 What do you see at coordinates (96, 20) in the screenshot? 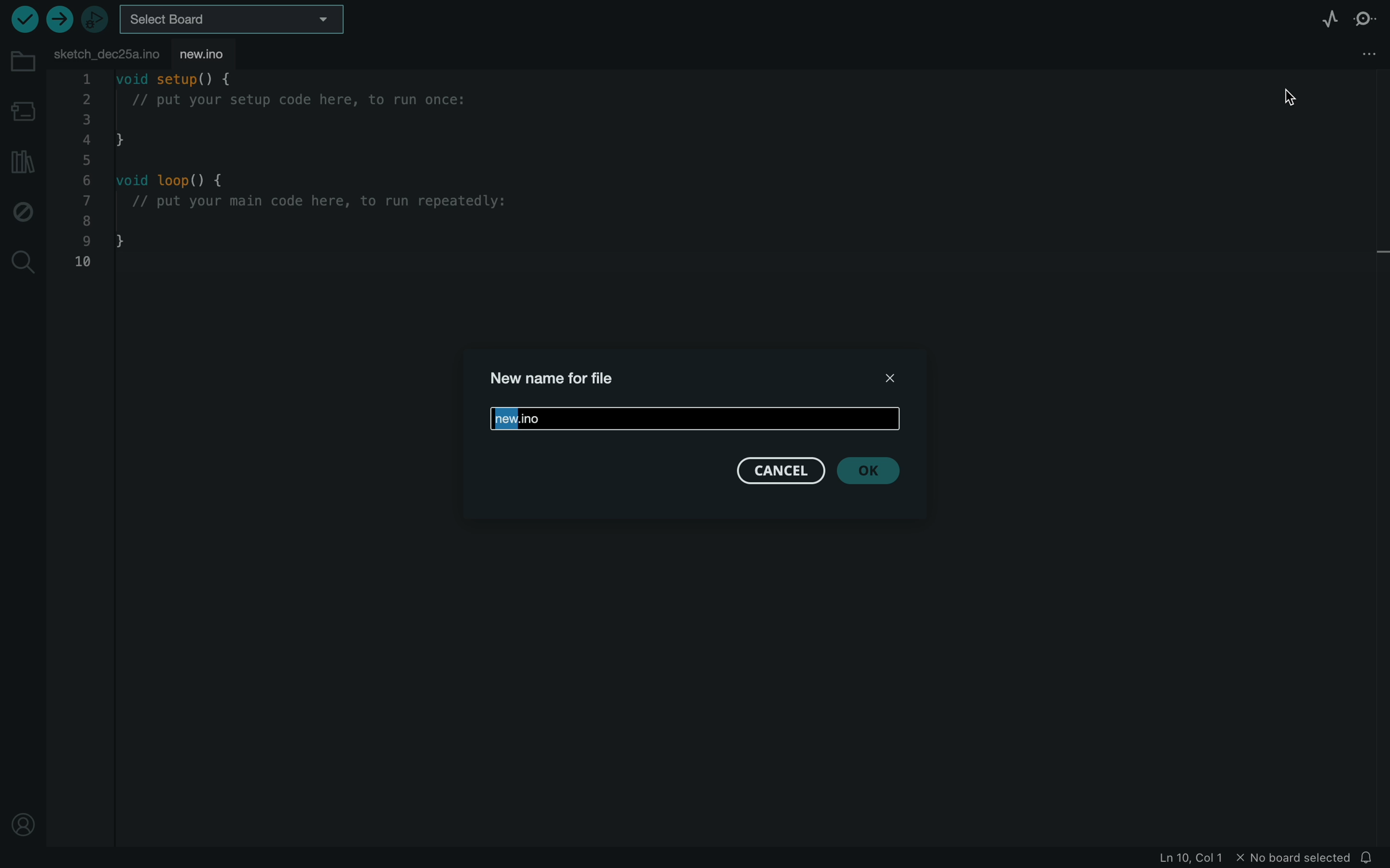
I see `debugger` at bounding box center [96, 20].